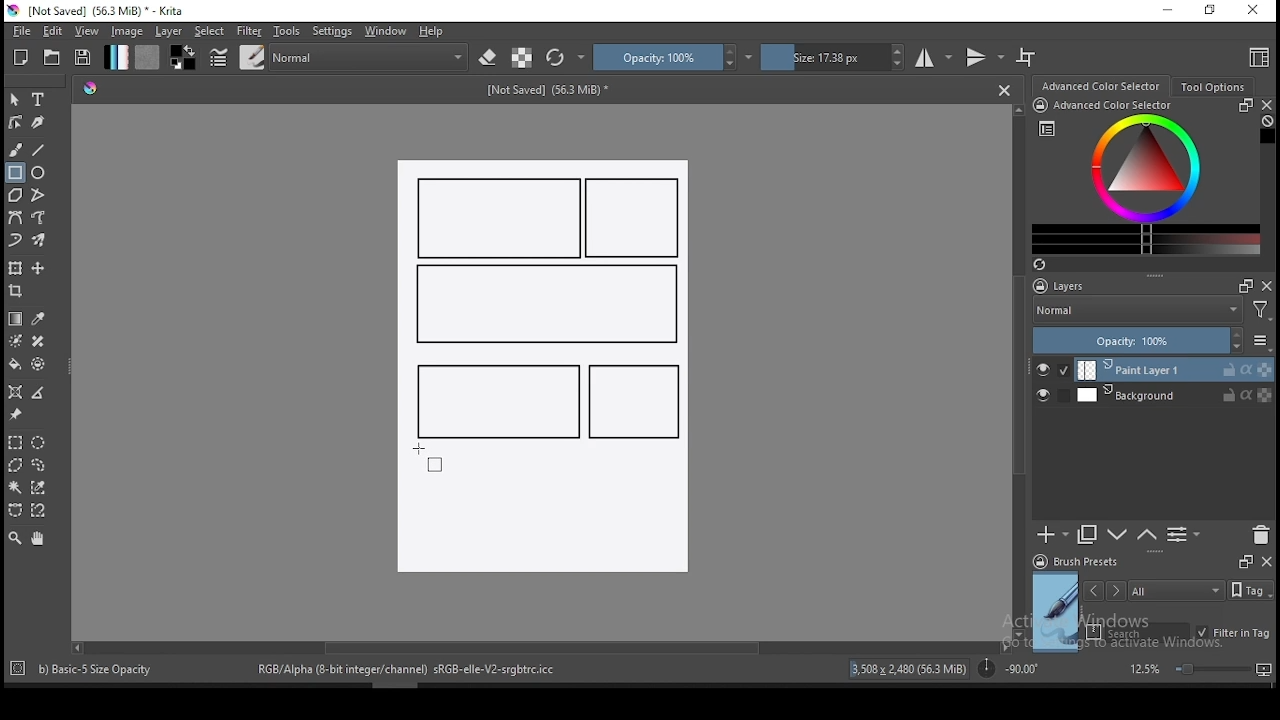 Image resolution: width=1280 pixels, height=720 pixels. Describe the element at coordinates (1065, 287) in the screenshot. I see `layers` at that location.